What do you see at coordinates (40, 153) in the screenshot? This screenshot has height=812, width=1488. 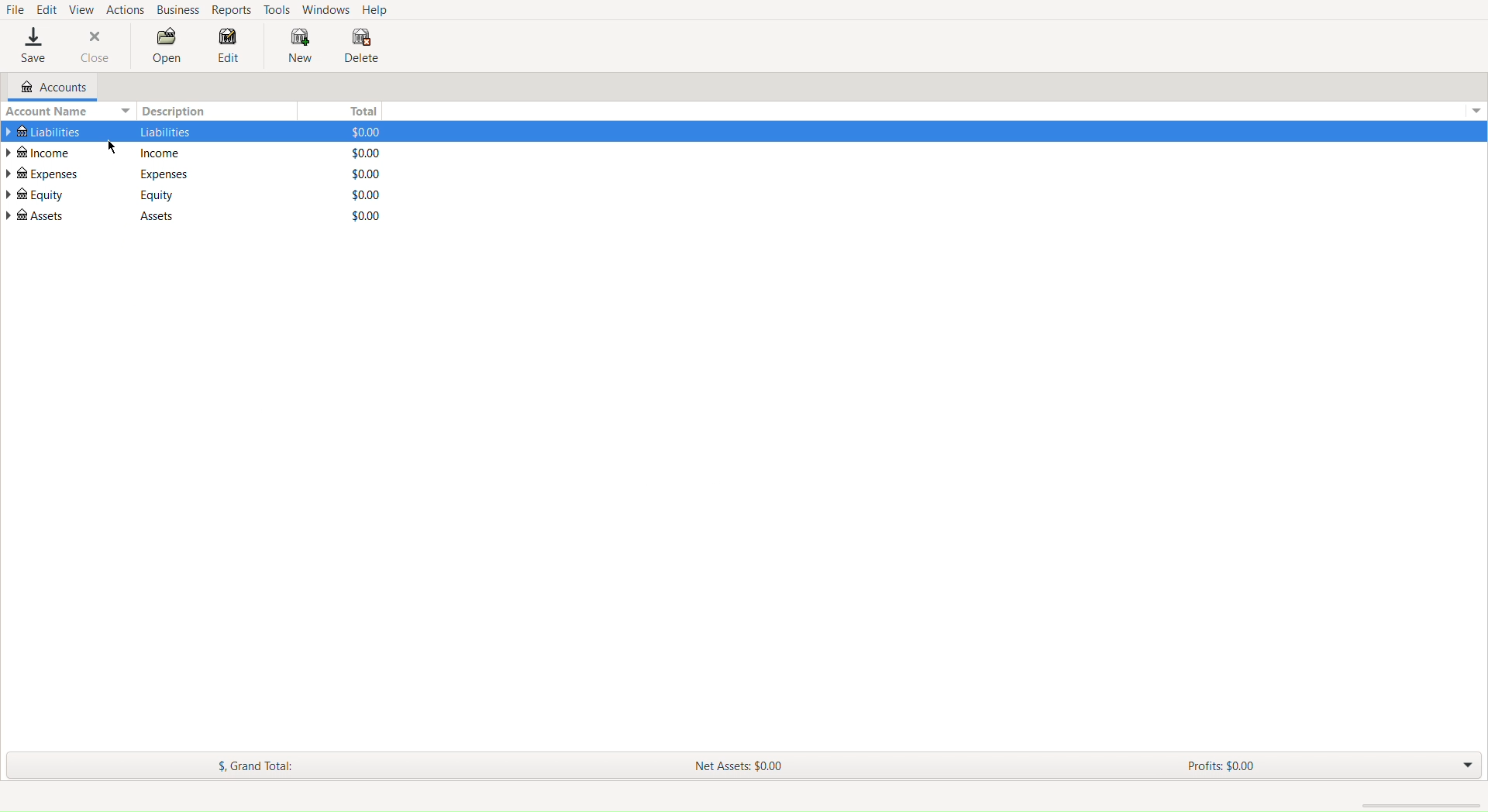 I see `Income` at bounding box center [40, 153].